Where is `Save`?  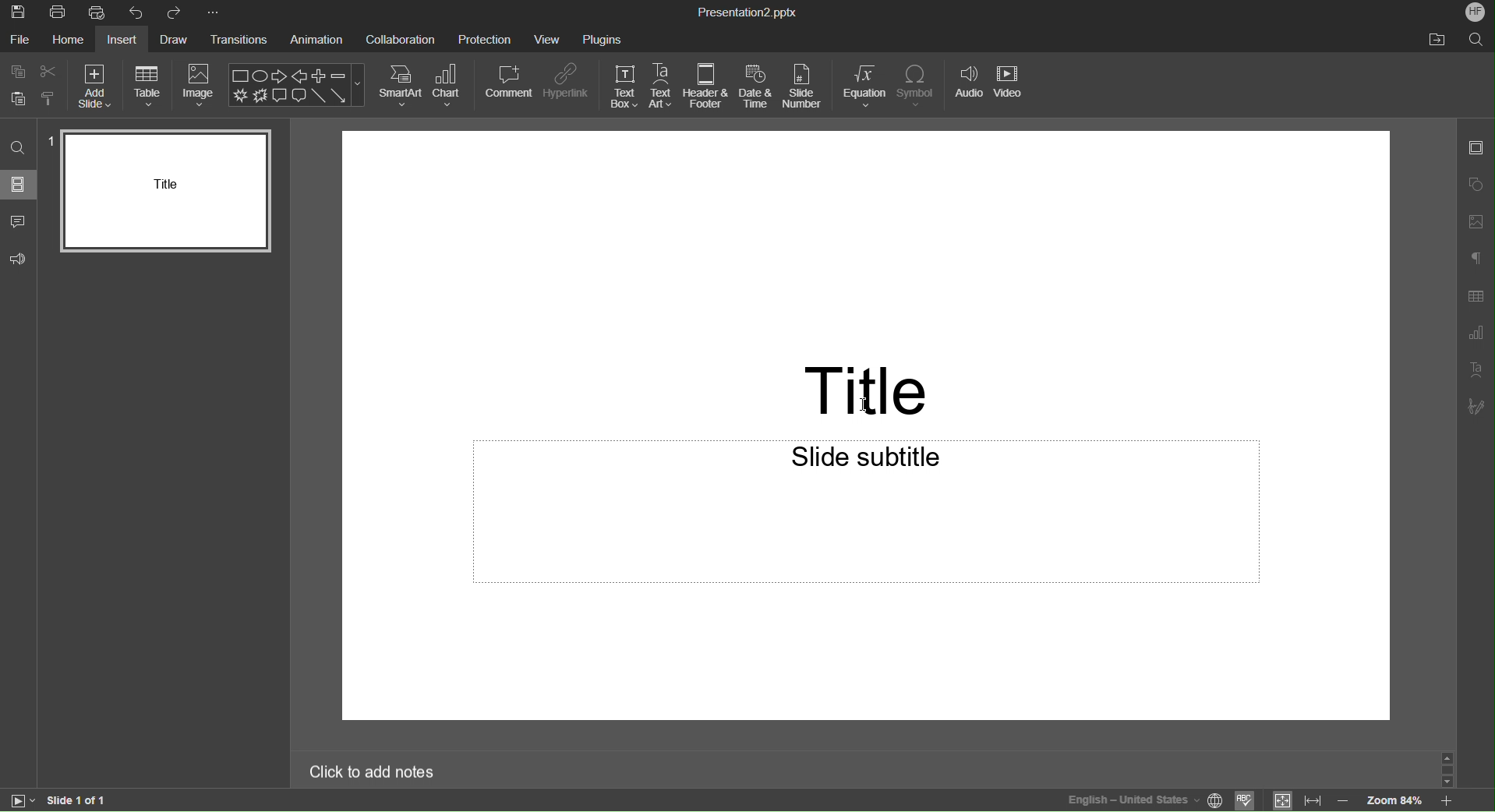
Save is located at coordinates (19, 12).